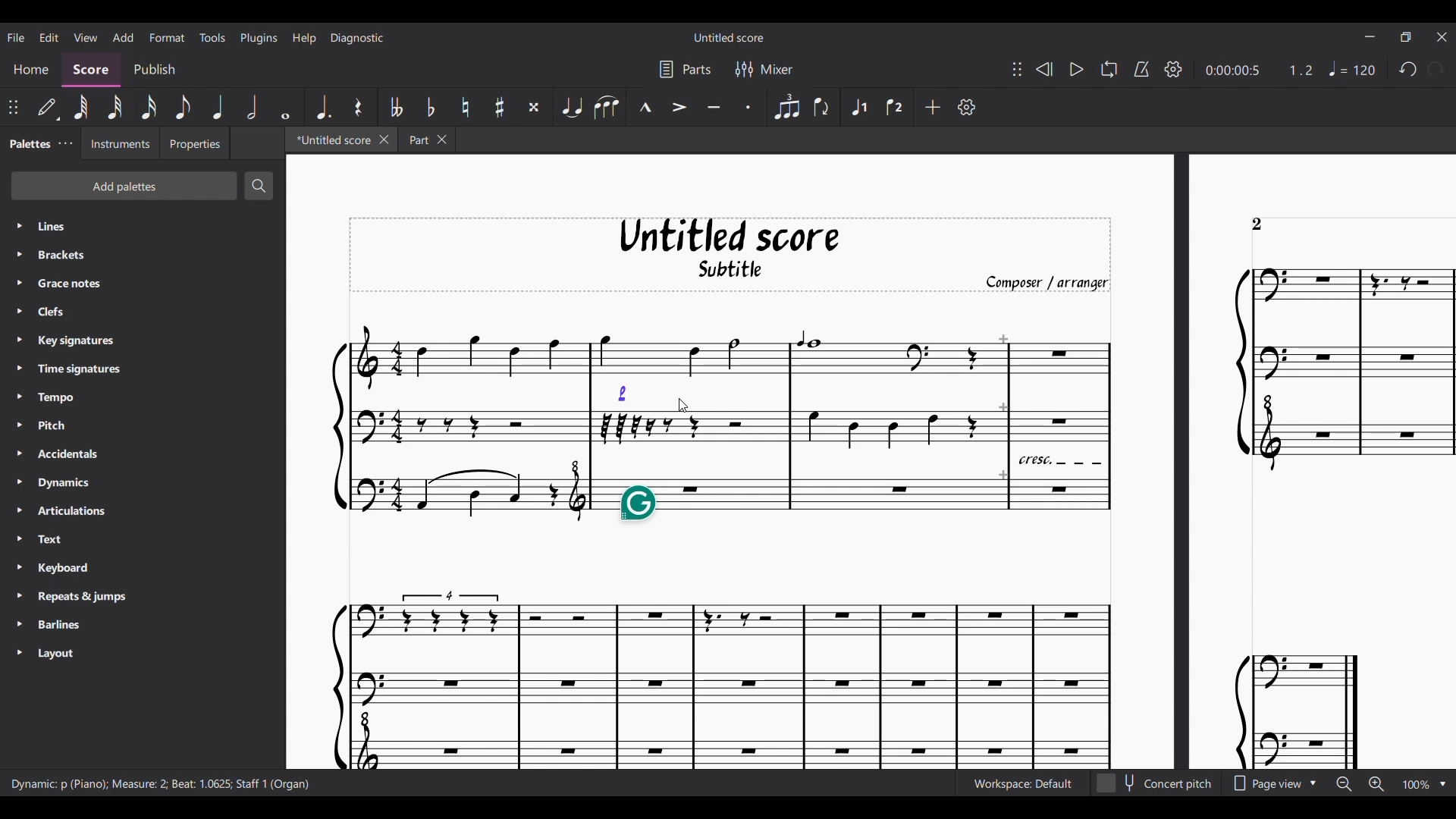 The width and height of the screenshot is (1456, 819). Describe the element at coordinates (1370, 36) in the screenshot. I see `Minimize ` at that location.